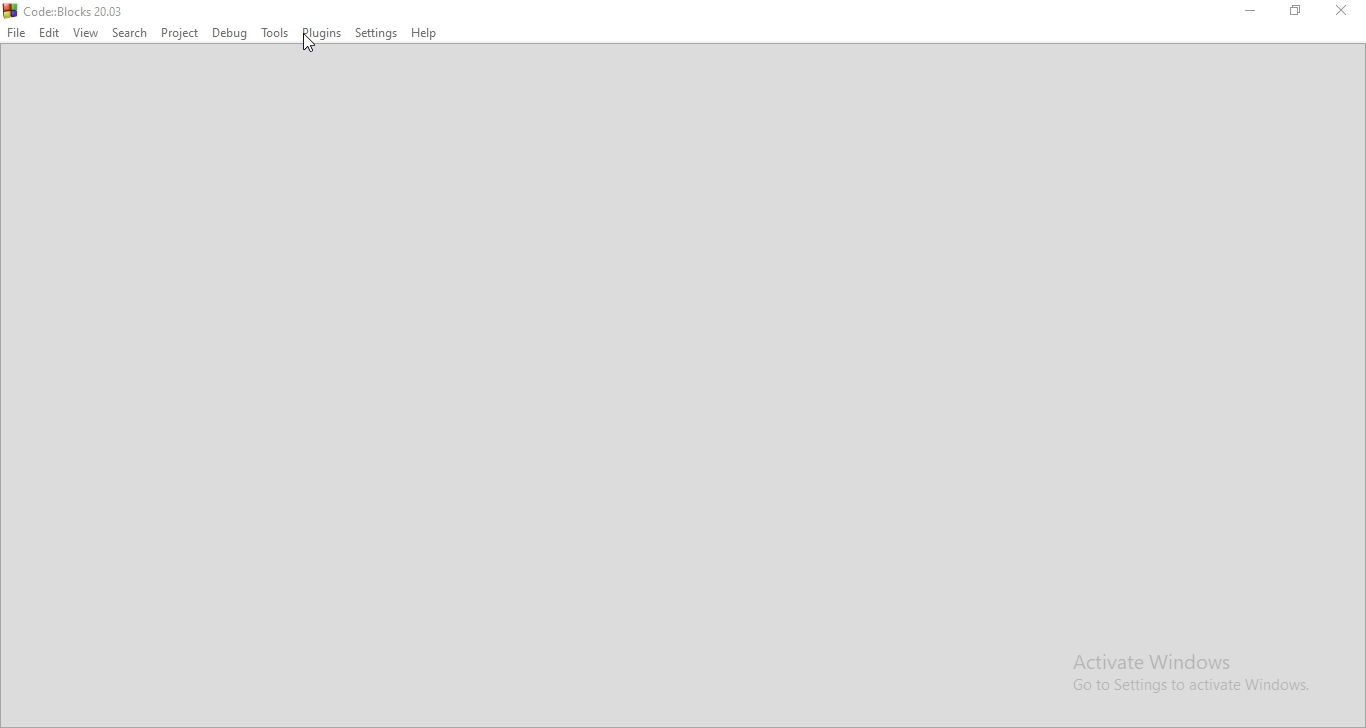 The image size is (1366, 728). Describe the element at coordinates (310, 43) in the screenshot. I see `Cursor` at that location.